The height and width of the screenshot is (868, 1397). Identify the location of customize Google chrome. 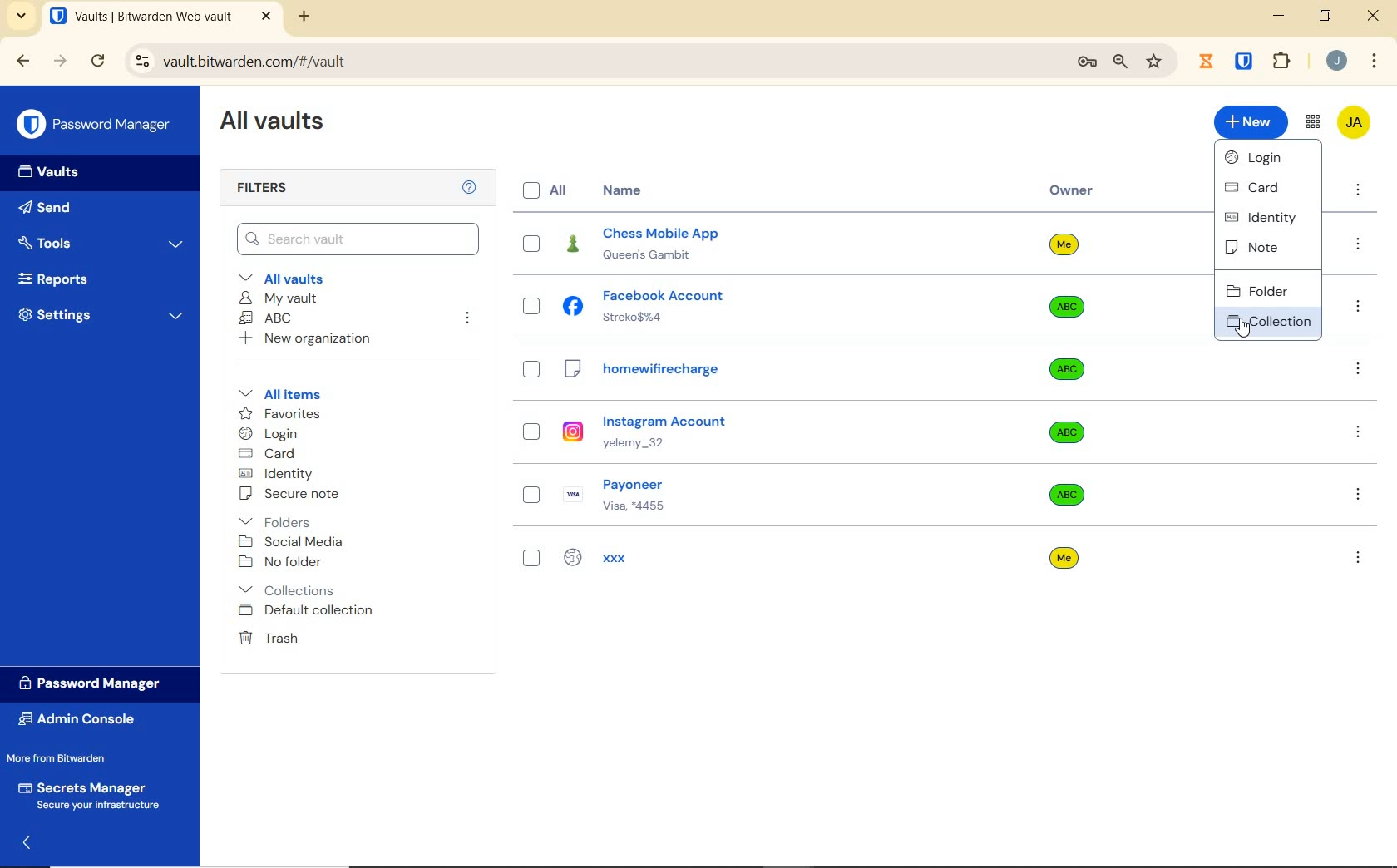
(1375, 61).